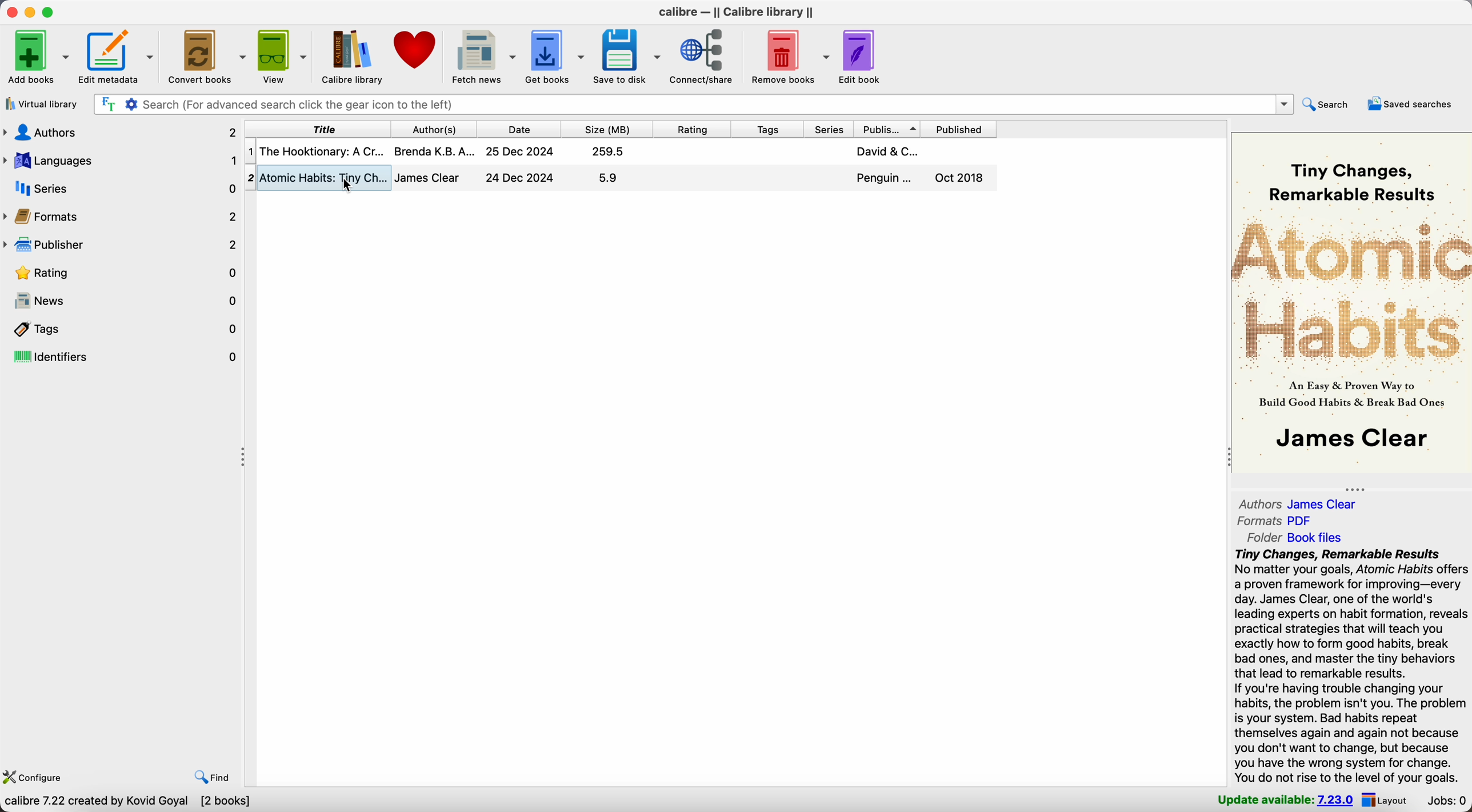  I want to click on Tiny Changes, Remarkable Results

No matter your goals, Atomic Habits offers
a proven framework for improving—every
day. James Clear, one of the world's
leading experts on habit formation, reveals
practical strategies that will teach you
exactly how to form good habits, break
bad ones, and master the tiny behaviors
that lead to remarkable results.

If you're having trouble changing your
habits, the problem isn't you. The problem
is your system. Bad habits repeat
themselves again and again not because
you don't want to change, but because
you have the wrong system for change.
You do not rise to the level of your goals., so click(1350, 667).